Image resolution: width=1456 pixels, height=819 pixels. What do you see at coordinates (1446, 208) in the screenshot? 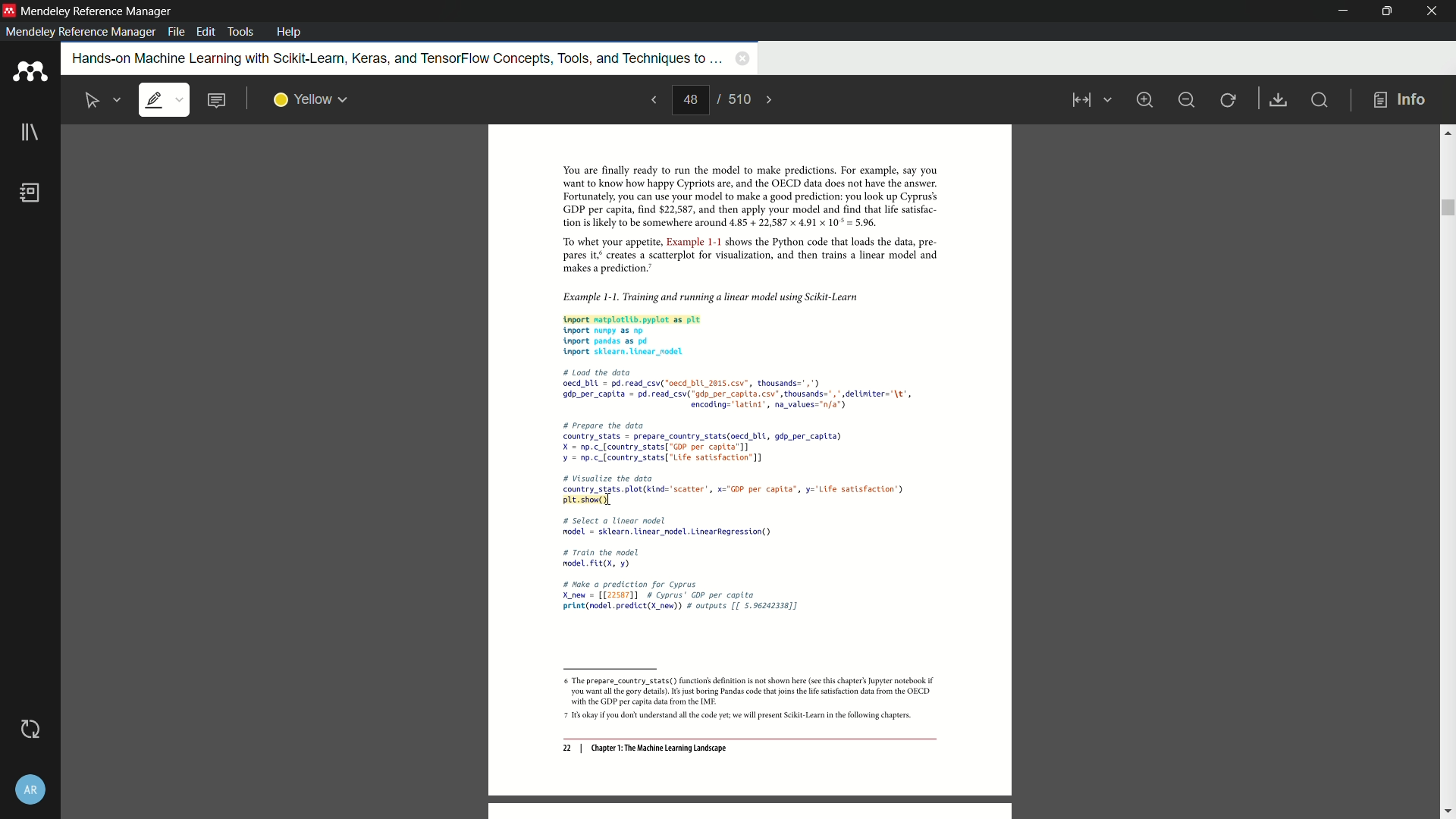
I see `scroll bar` at bounding box center [1446, 208].